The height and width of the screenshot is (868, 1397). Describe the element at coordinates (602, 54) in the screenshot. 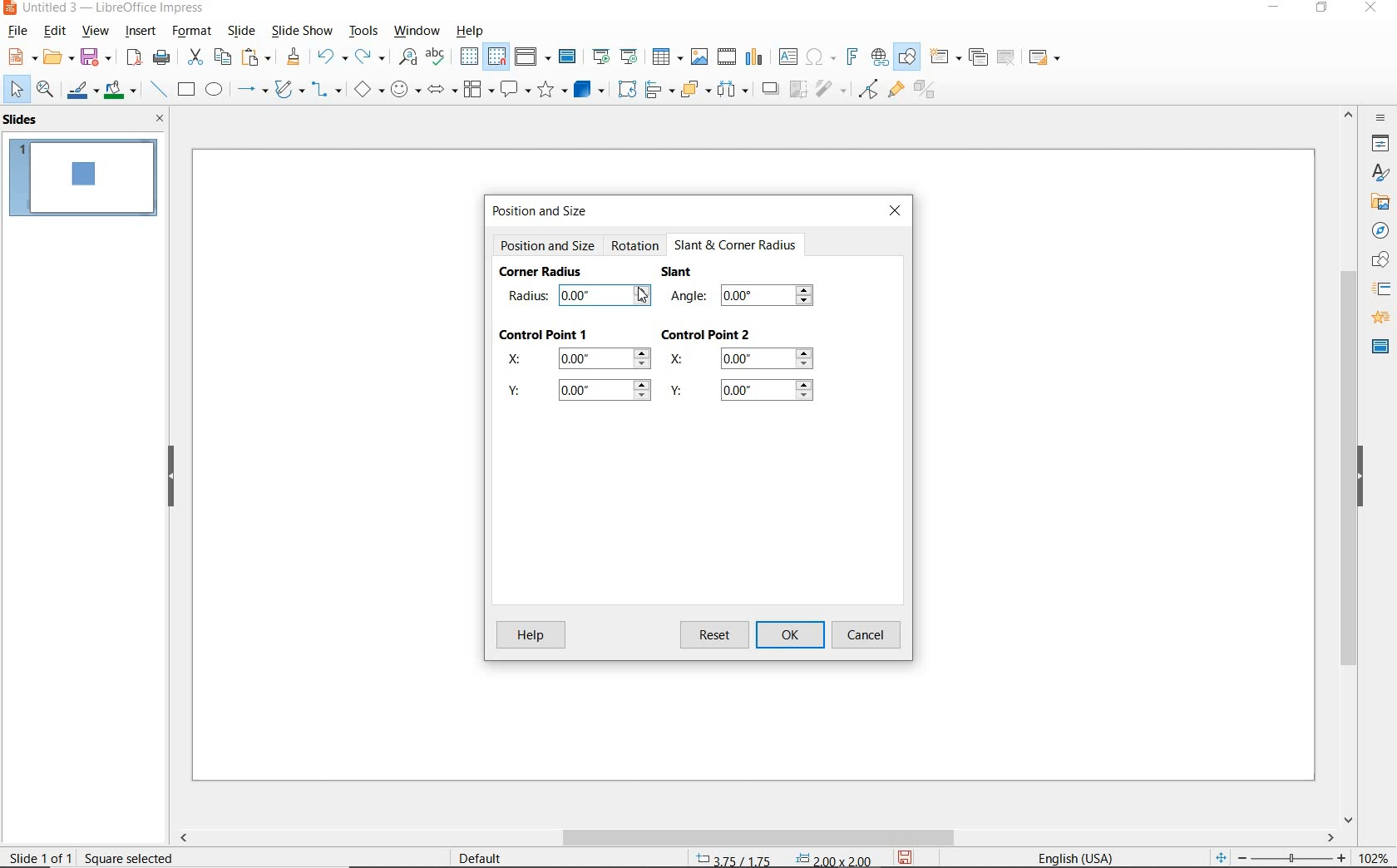

I see `start from first slide` at that location.